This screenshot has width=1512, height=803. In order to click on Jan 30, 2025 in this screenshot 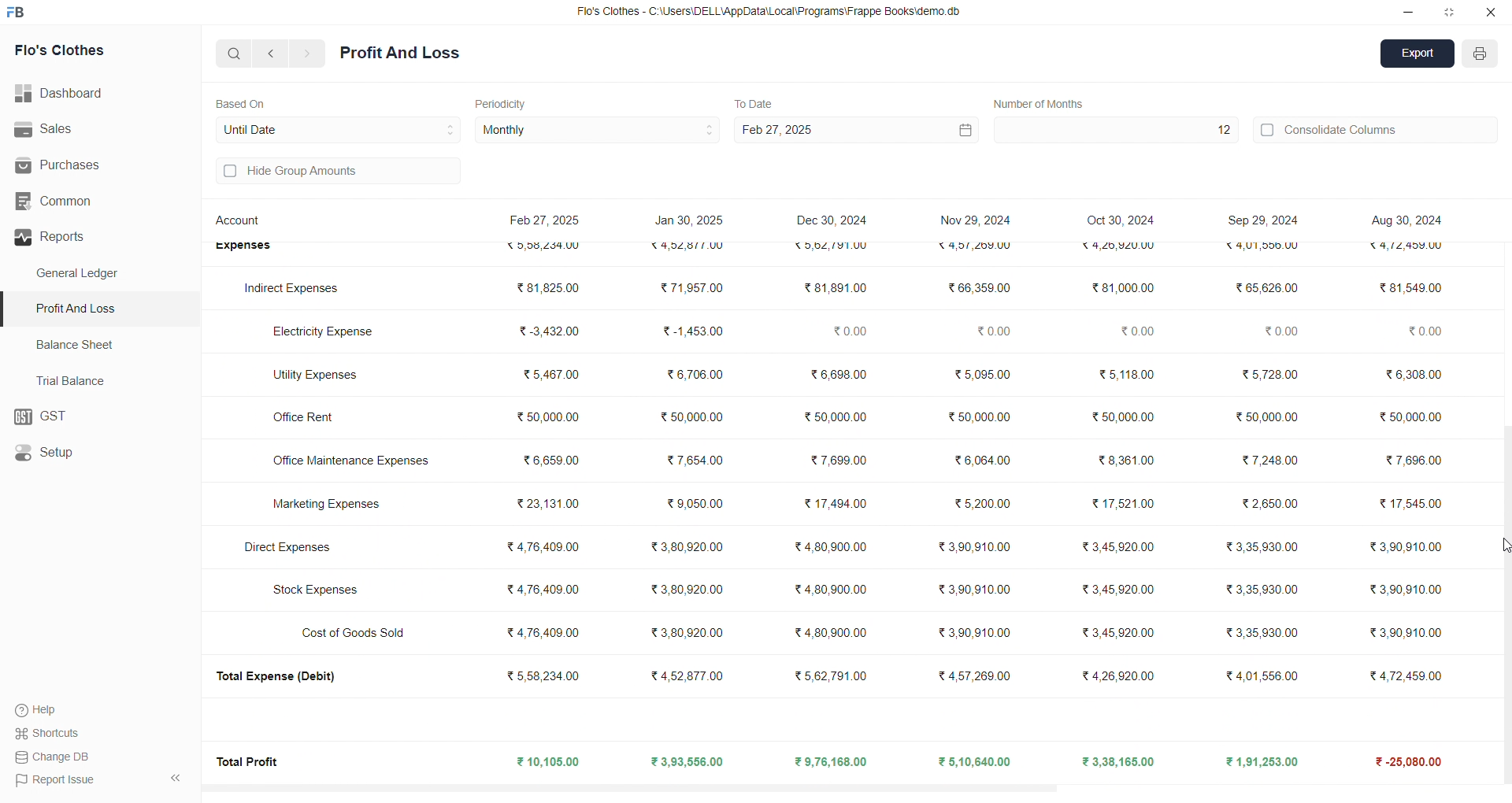, I will do `click(691, 223)`.